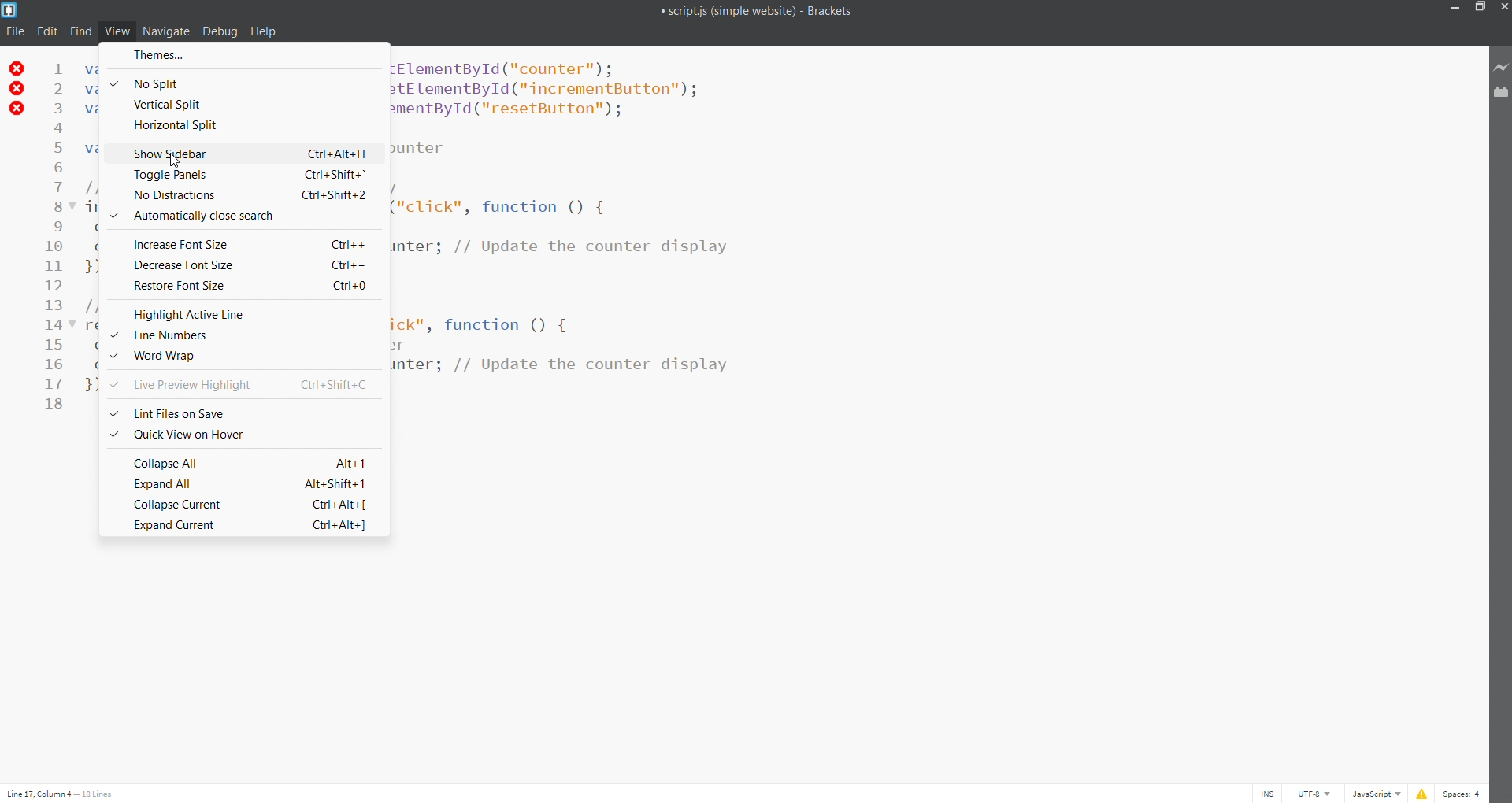 Image resolution: width=1512 pixels, height=803 pixels. I want to click on file, so click(14, 32).